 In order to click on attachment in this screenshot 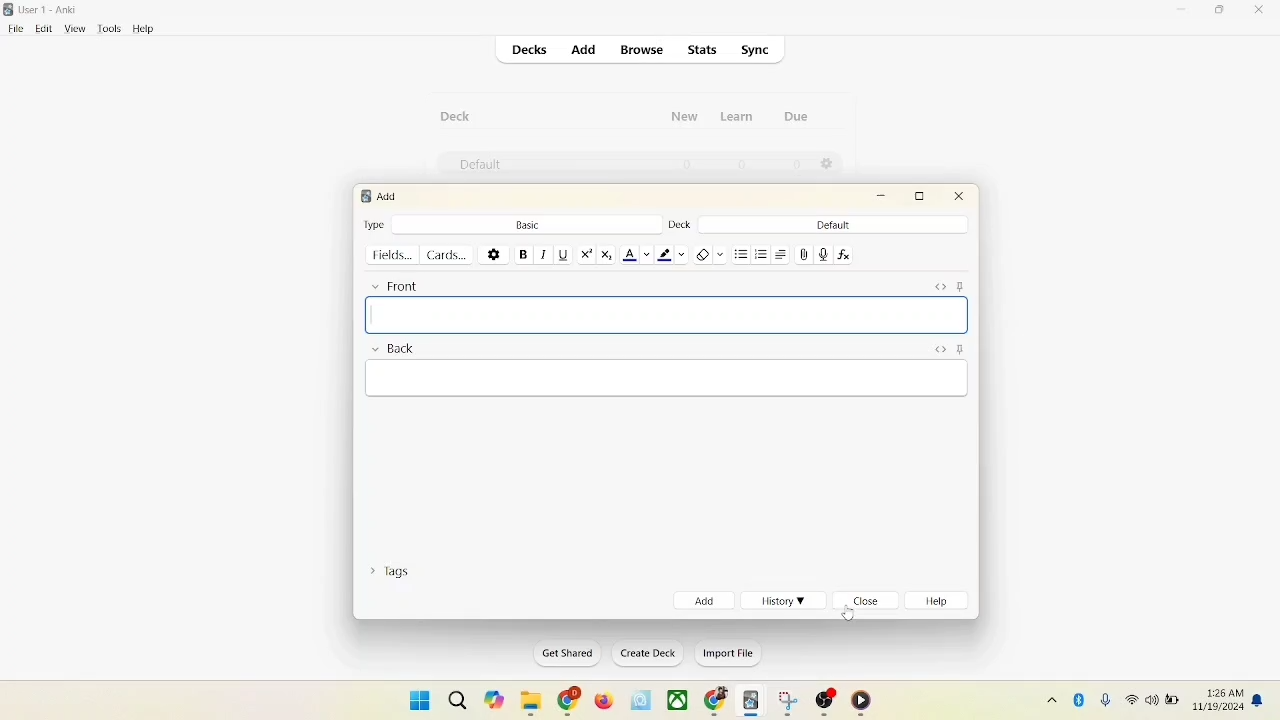, I will do `click(804, 255)`.